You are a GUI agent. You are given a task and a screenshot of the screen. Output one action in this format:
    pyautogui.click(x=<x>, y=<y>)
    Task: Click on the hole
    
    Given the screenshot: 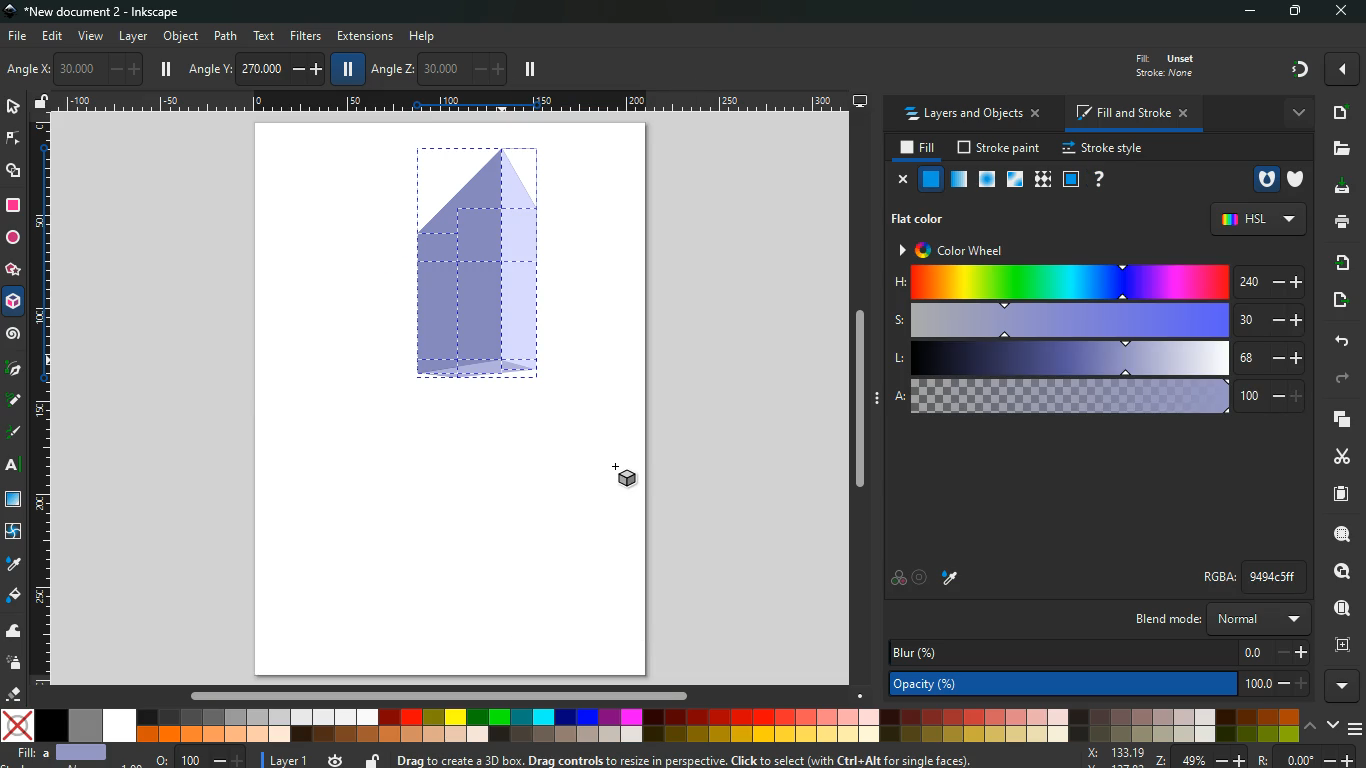 What is the action you would take?
    pyautogui.click(x=1265, y=179)
    